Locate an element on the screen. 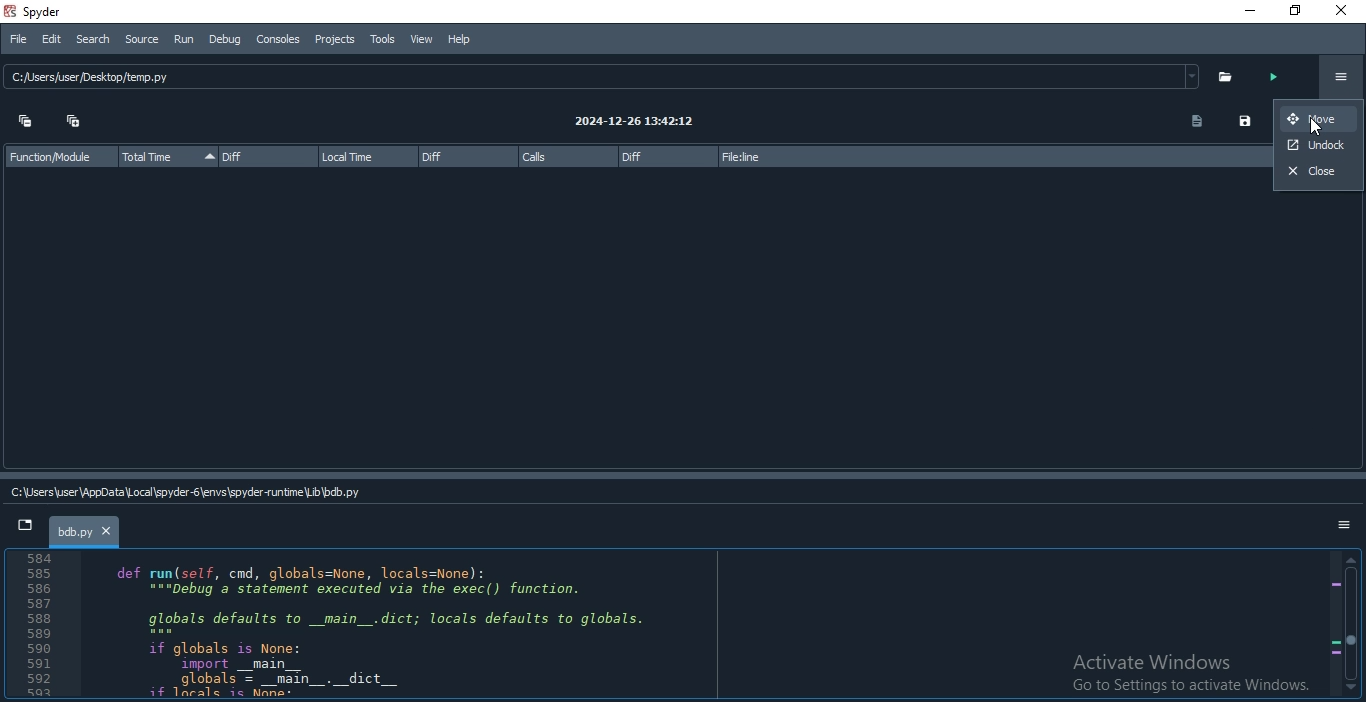  Expand is located at coordinates (74, 126).